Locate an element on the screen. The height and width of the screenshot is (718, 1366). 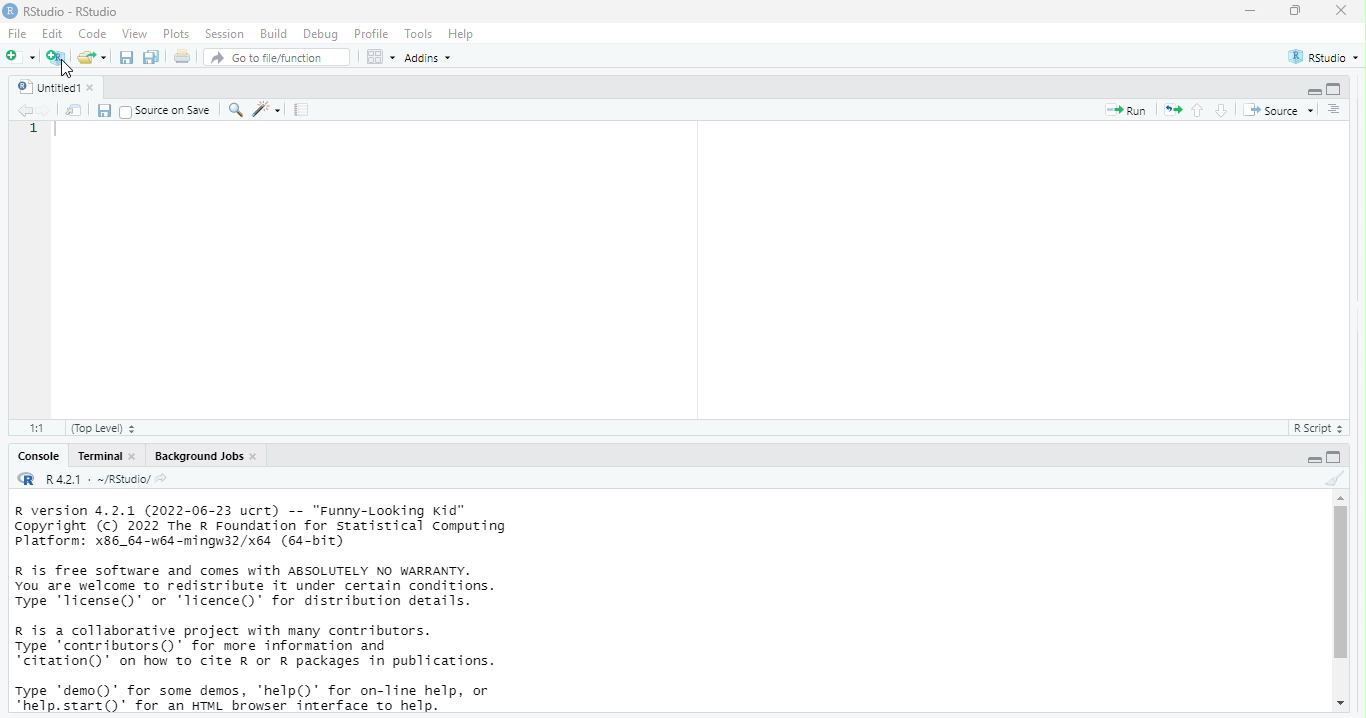
re-run the previous code region is located at coordinates (1172, 111).